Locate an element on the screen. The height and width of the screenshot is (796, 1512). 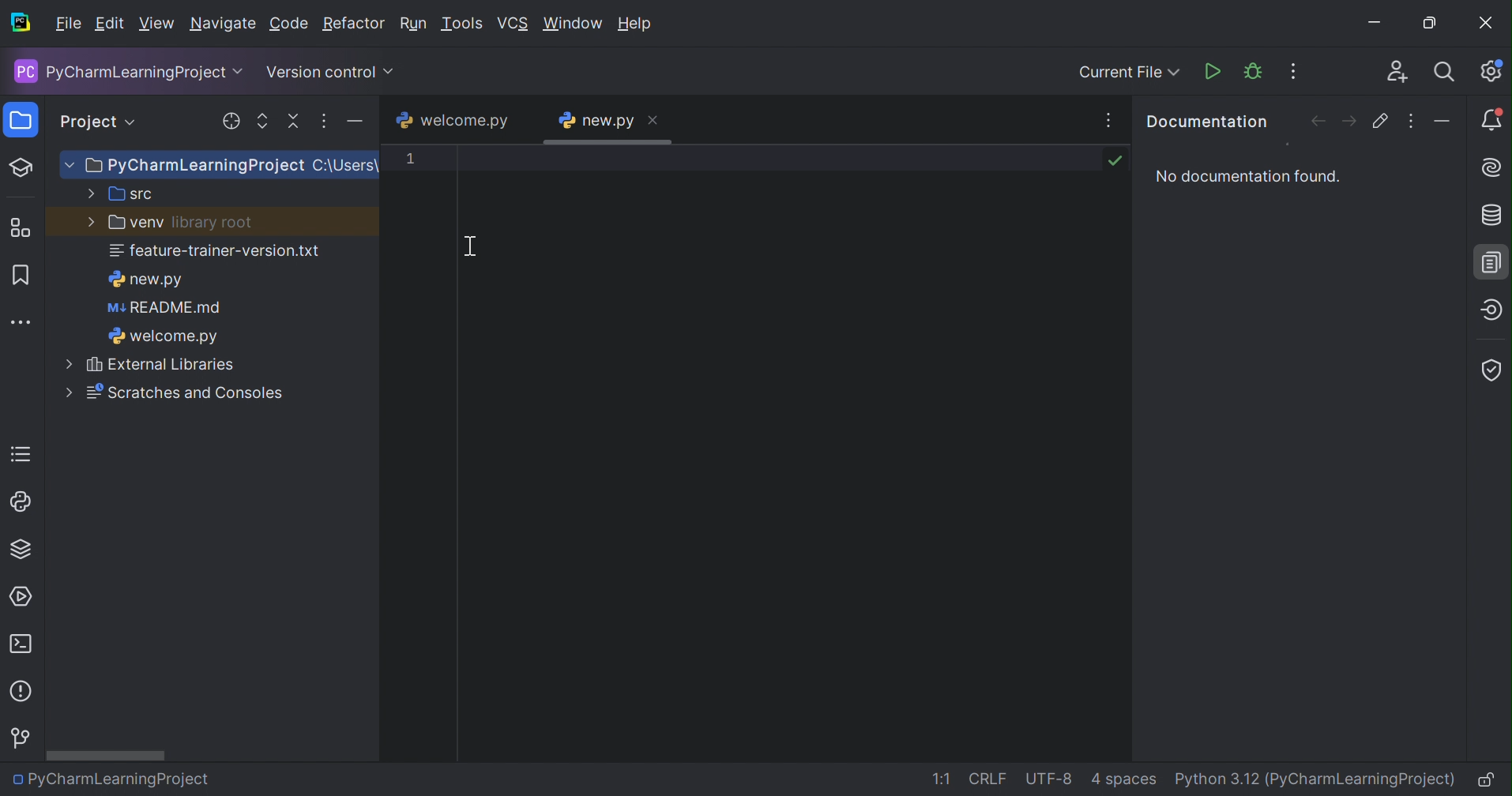
Tools is located at coordinates (463, 24).